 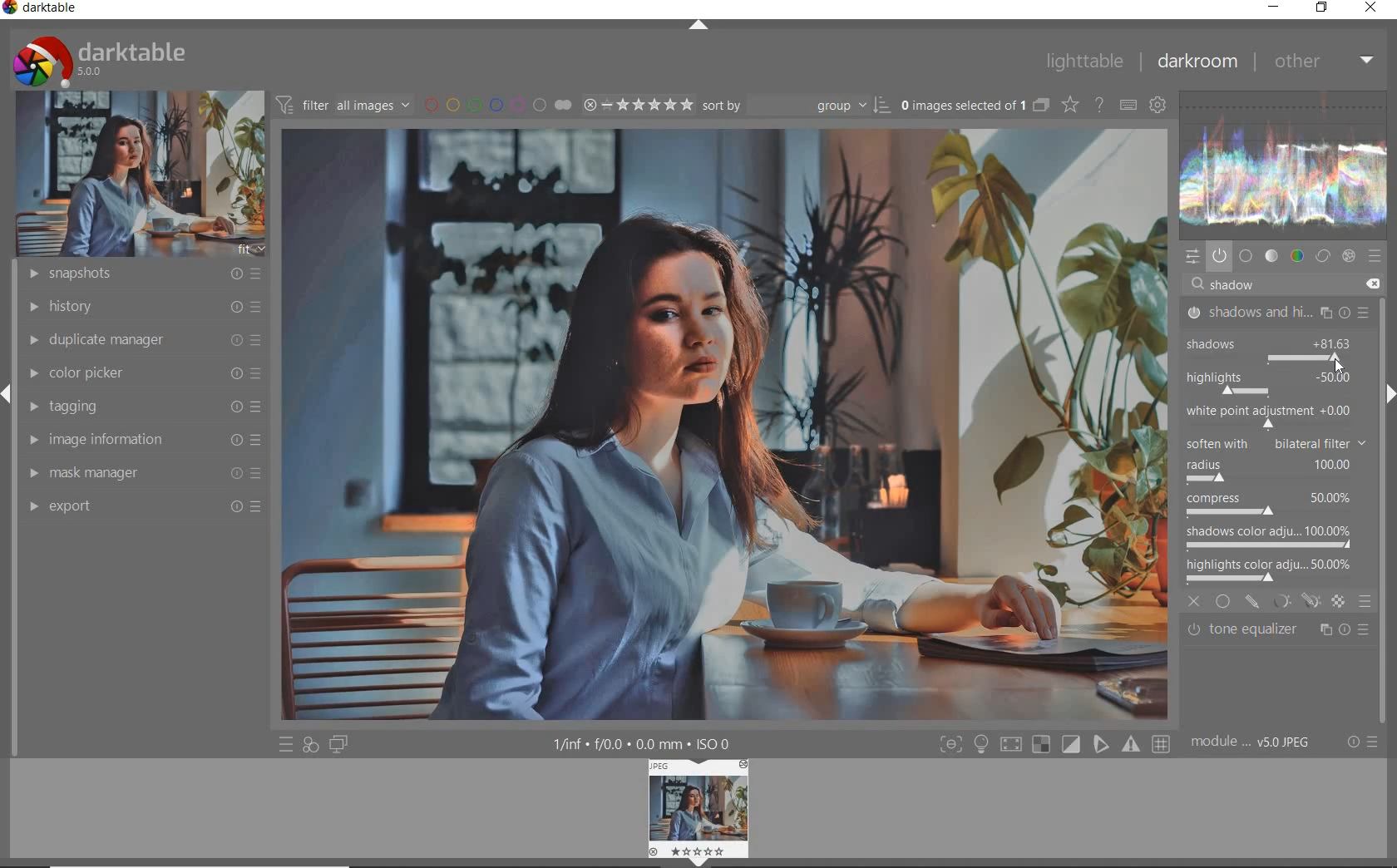 I want to click on Sort, so click(x=797, y=104).